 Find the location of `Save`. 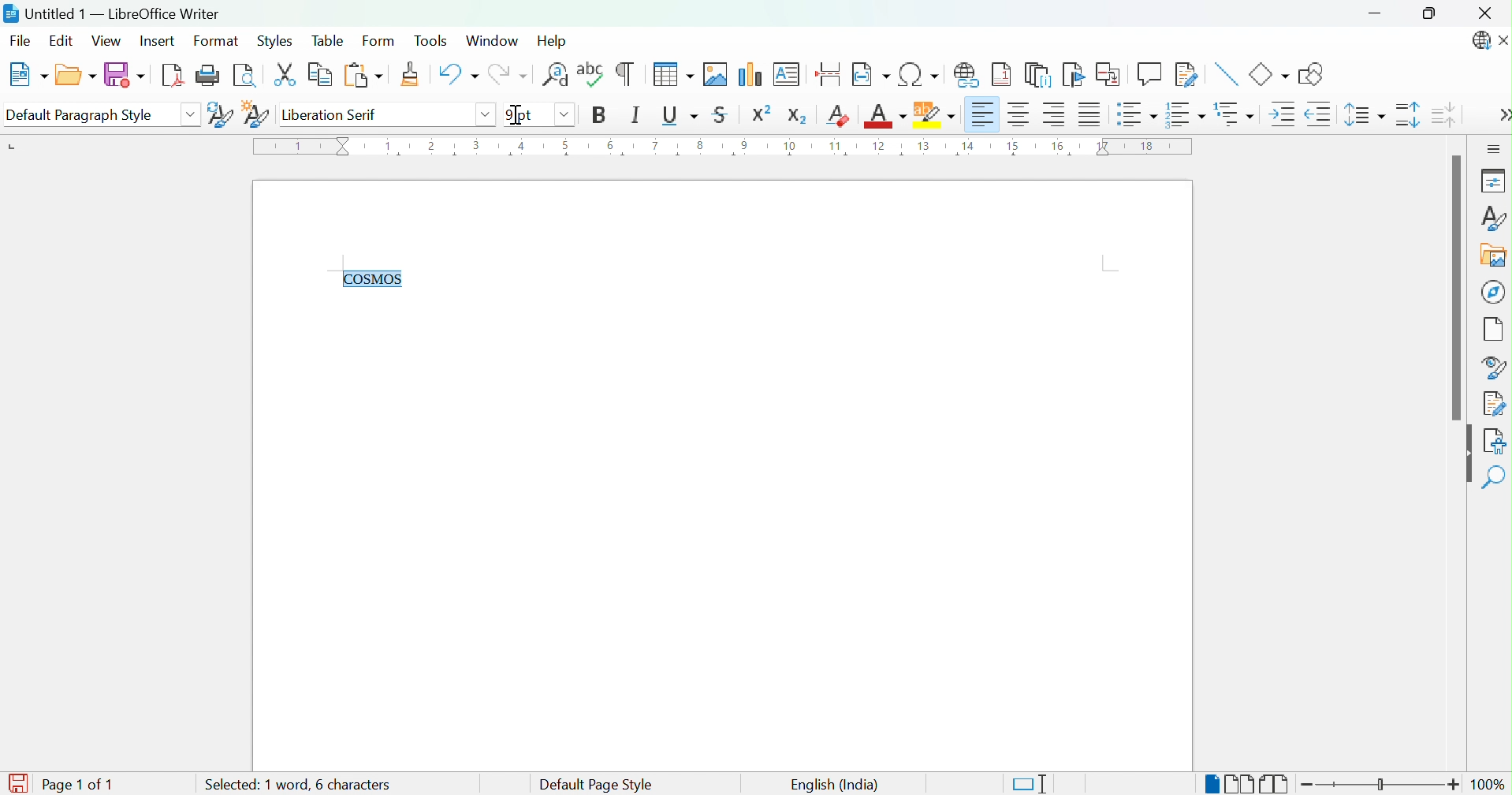

Save is located at coordinates (124, 76).